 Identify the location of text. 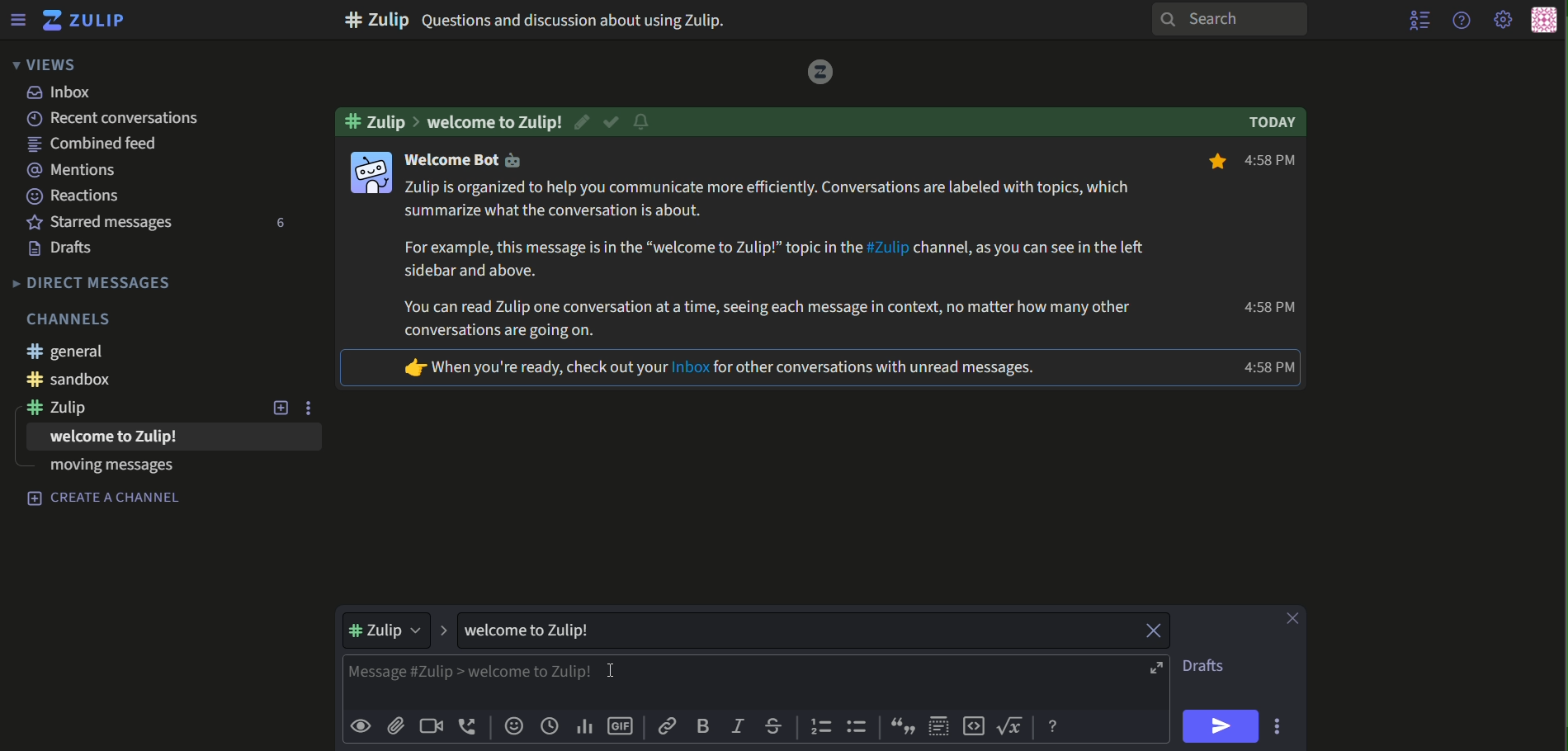
(720, 369).